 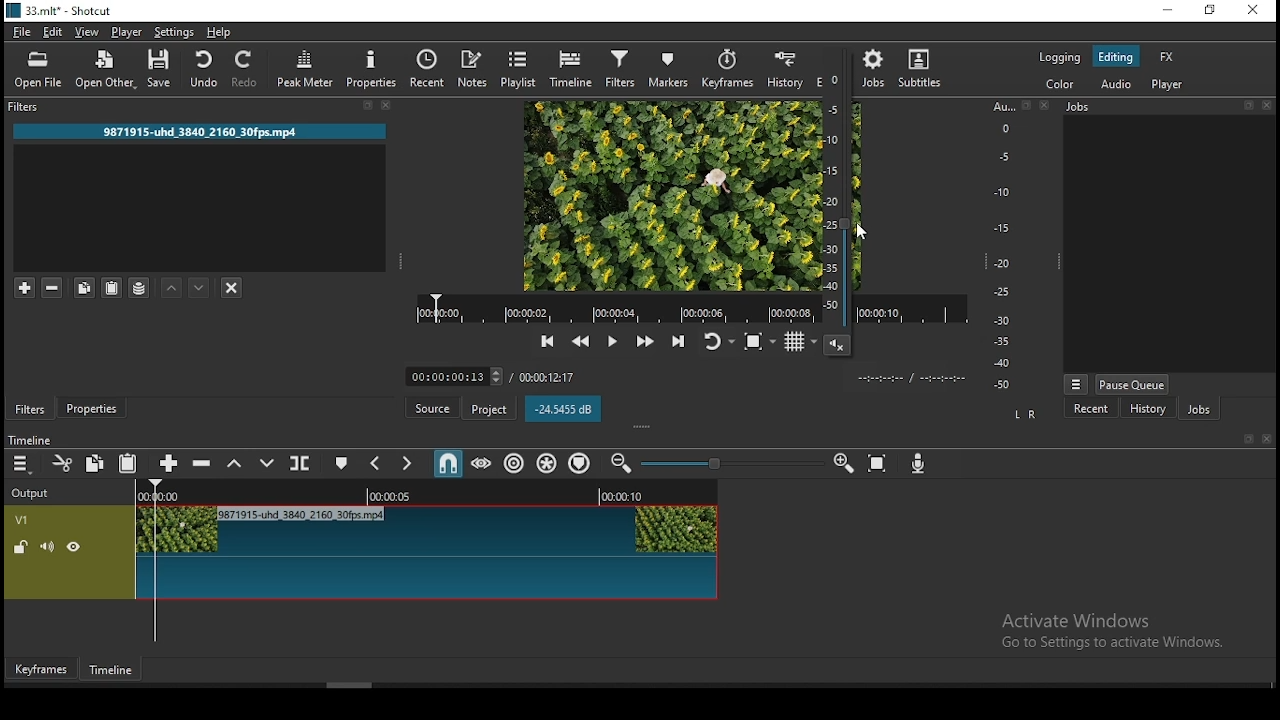 What do you see at coordinates (1044, 107) in the screenshot?
I see `close` at bounding box center [1044, 107].